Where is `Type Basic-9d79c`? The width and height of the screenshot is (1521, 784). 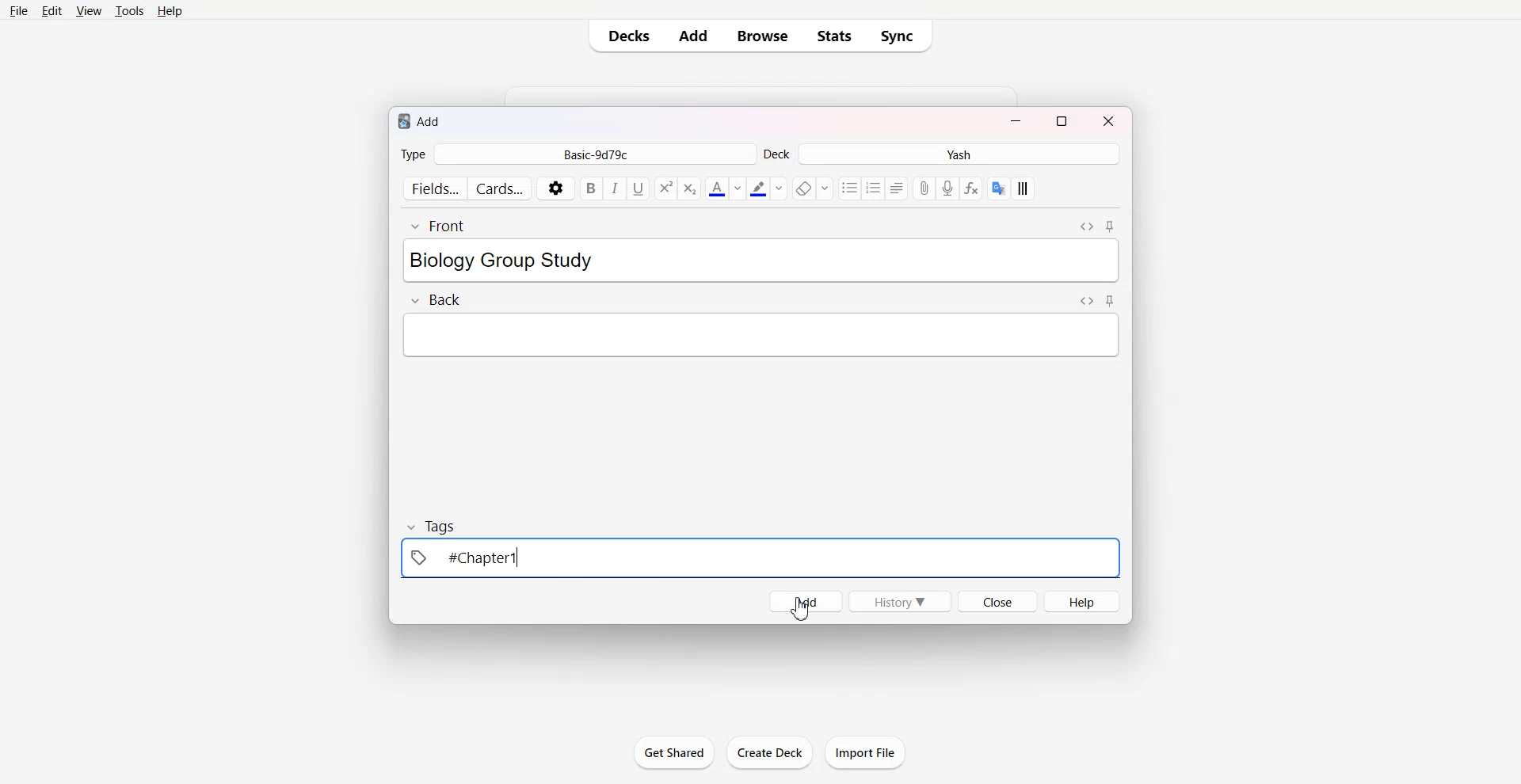
Type Basic-9d79c is located at coordinates (577, 154).